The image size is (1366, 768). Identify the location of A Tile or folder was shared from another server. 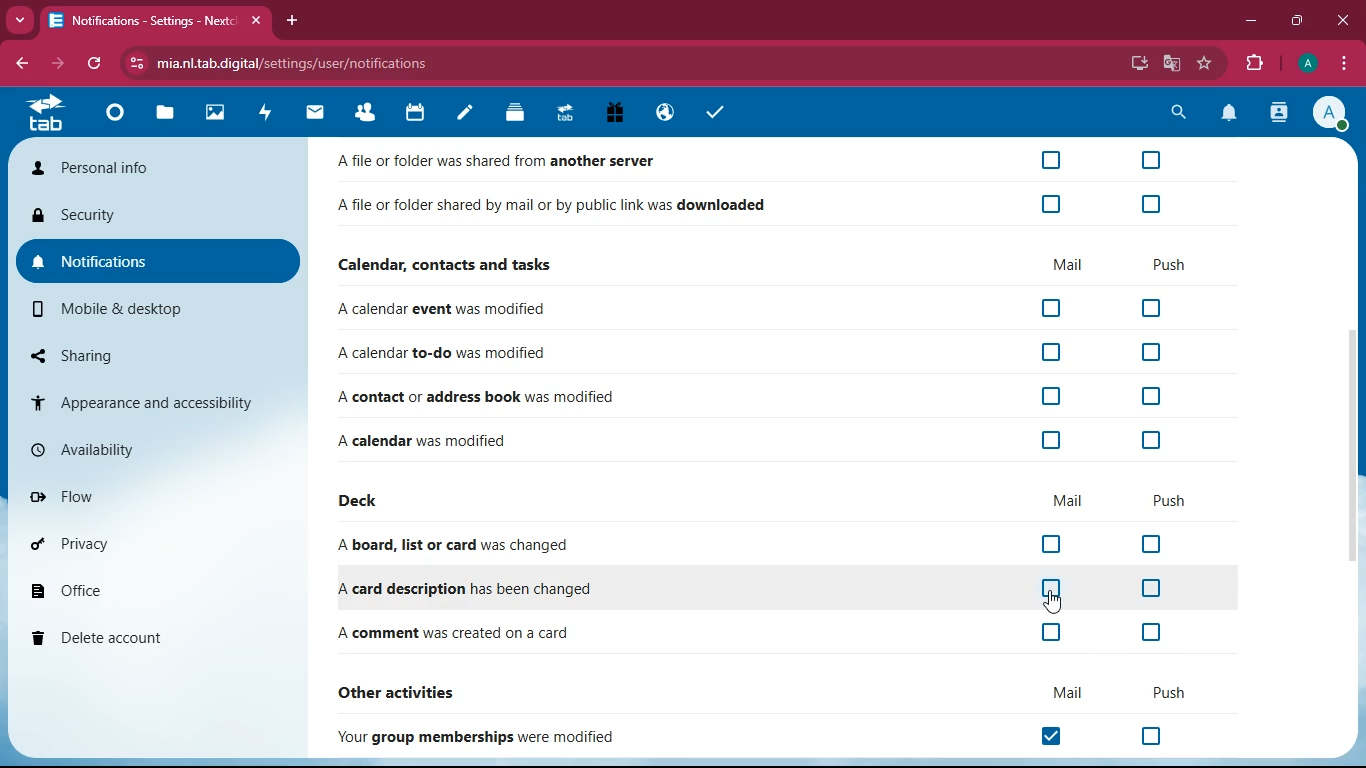
(508, 162).